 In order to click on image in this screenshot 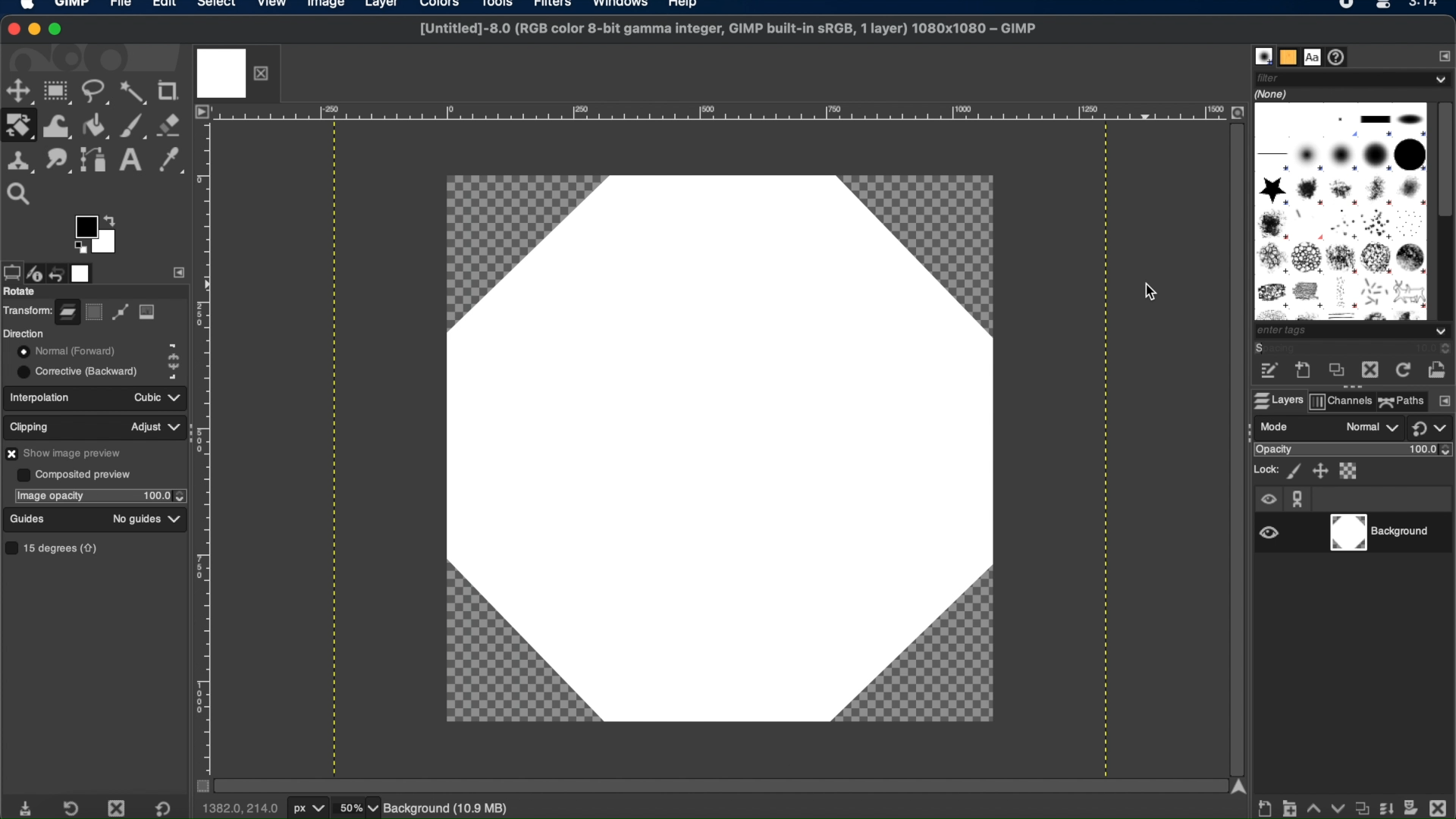, I will do `click(324, 6)`.